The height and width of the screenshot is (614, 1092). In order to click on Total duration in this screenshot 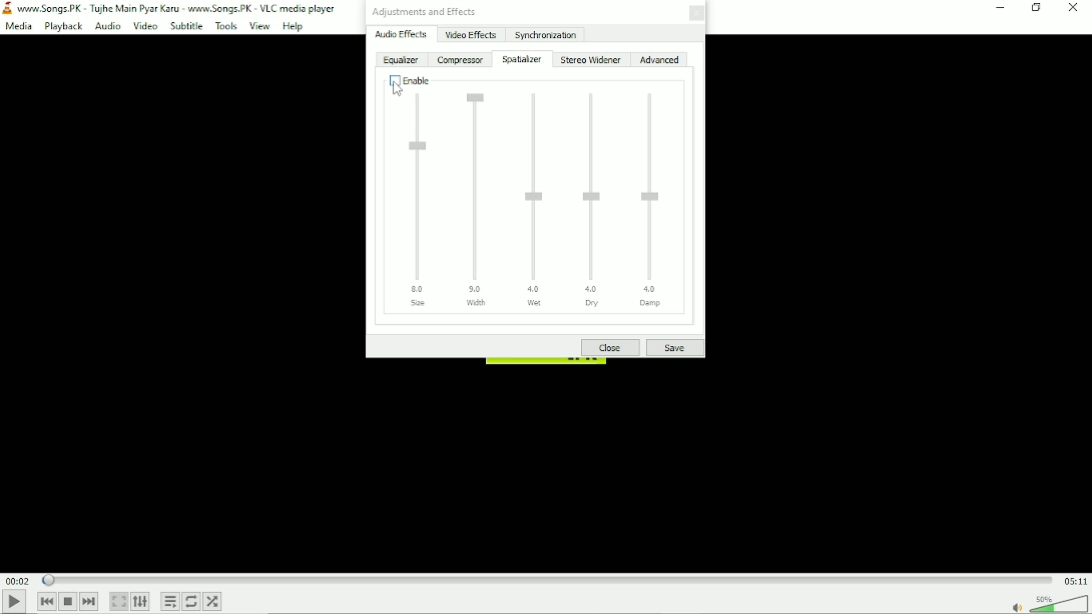, I will do `click(1075, 580)`.